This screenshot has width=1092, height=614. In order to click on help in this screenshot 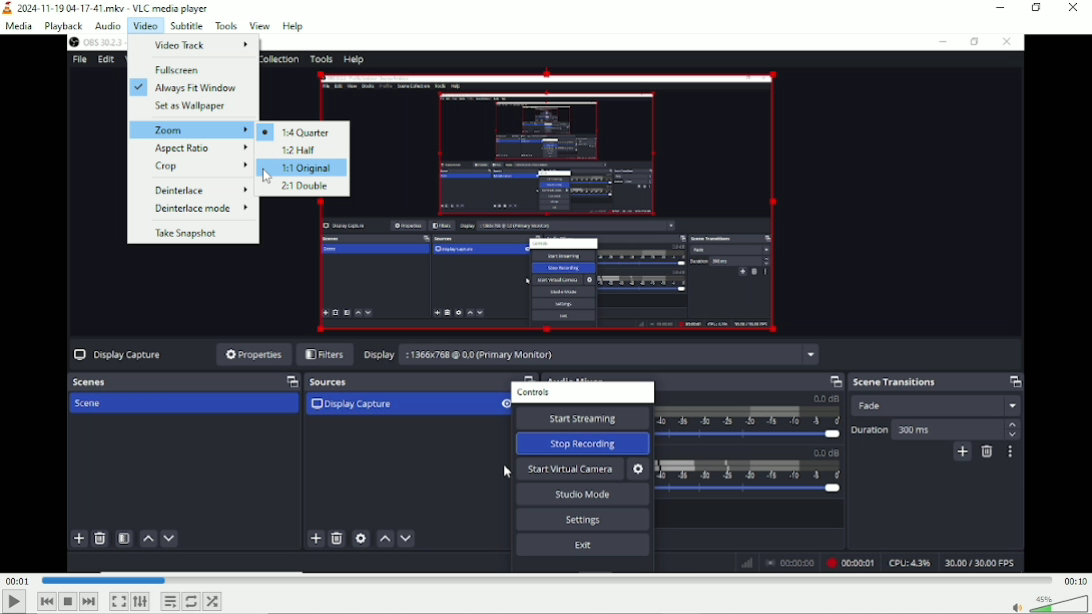, I will do `click(292, 26)`.